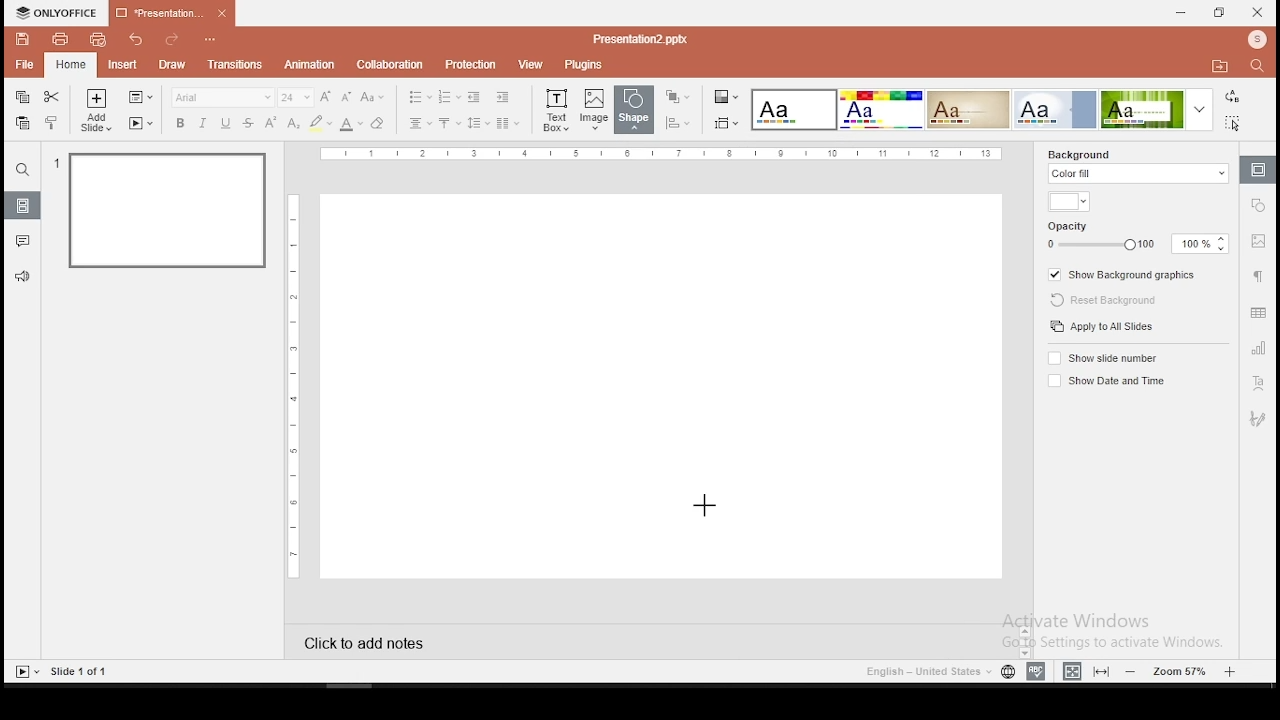 The height and width of the screenshot is (720, 1280). I want to click on arrange shapes, so click(676, 97).